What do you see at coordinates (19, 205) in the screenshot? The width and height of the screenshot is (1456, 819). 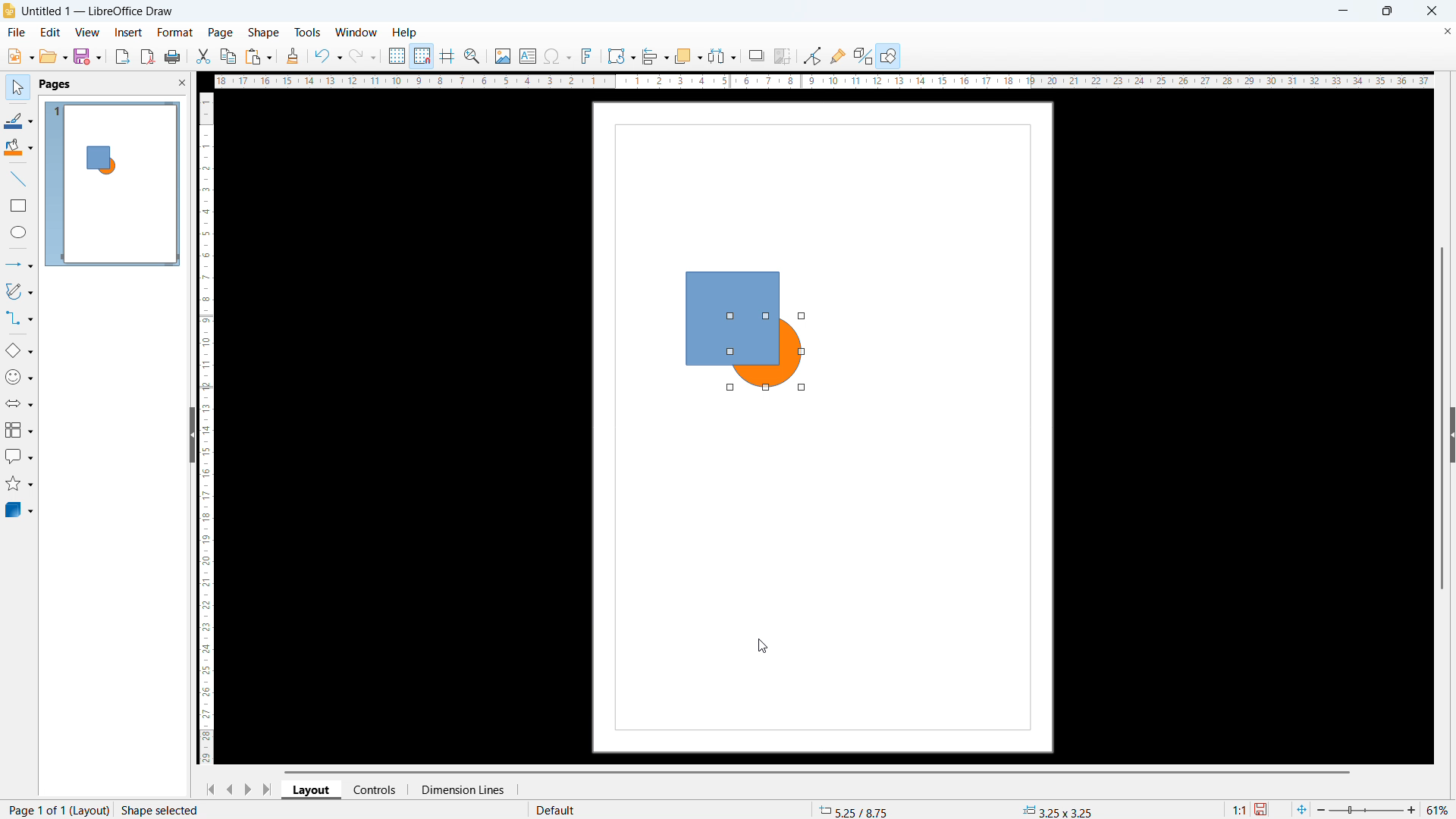 I see `Rectangle ` at bounding box center [19, 205].